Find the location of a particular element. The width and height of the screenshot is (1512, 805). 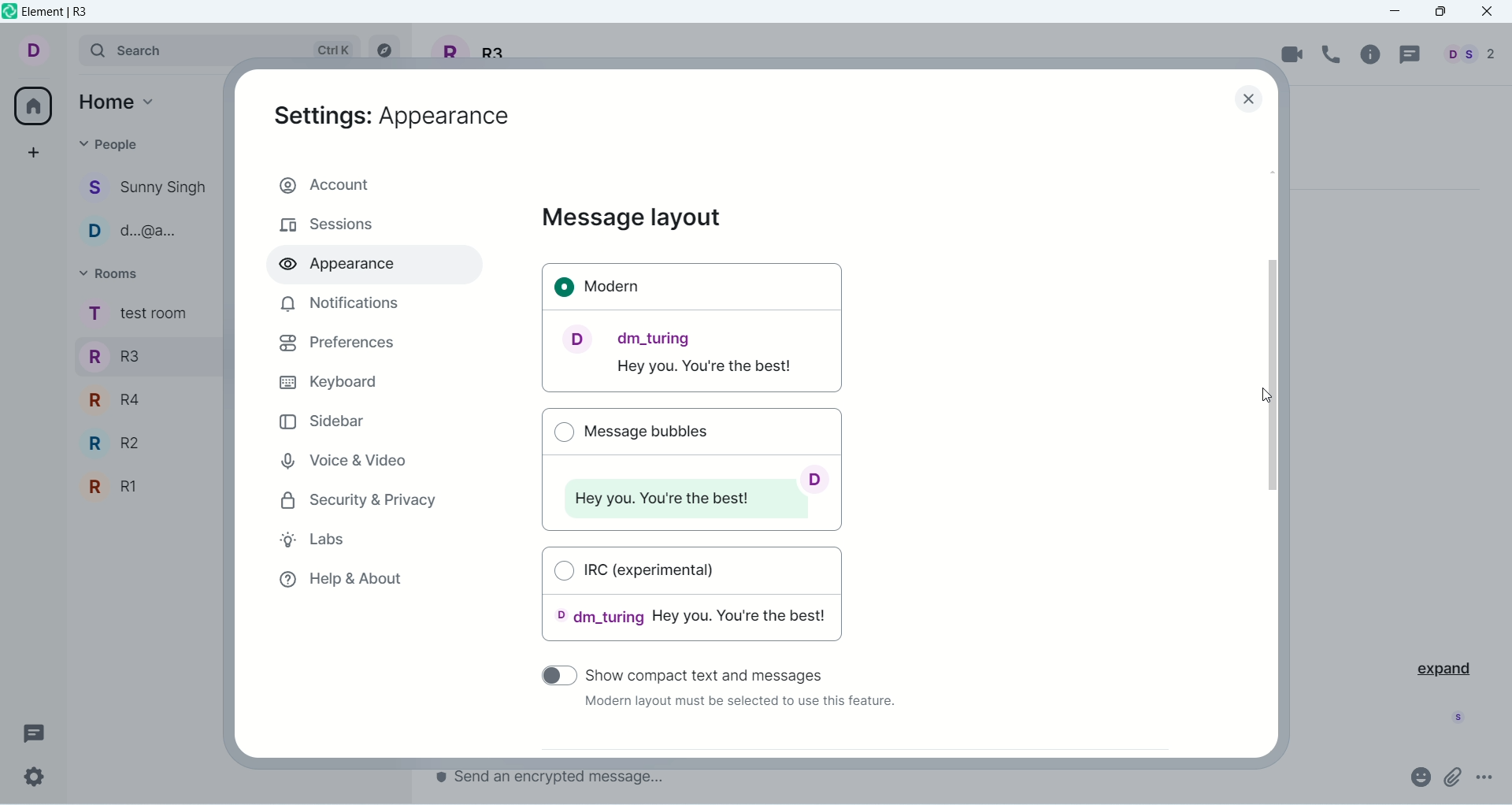

keyboard is located at coordinates (327, 380).